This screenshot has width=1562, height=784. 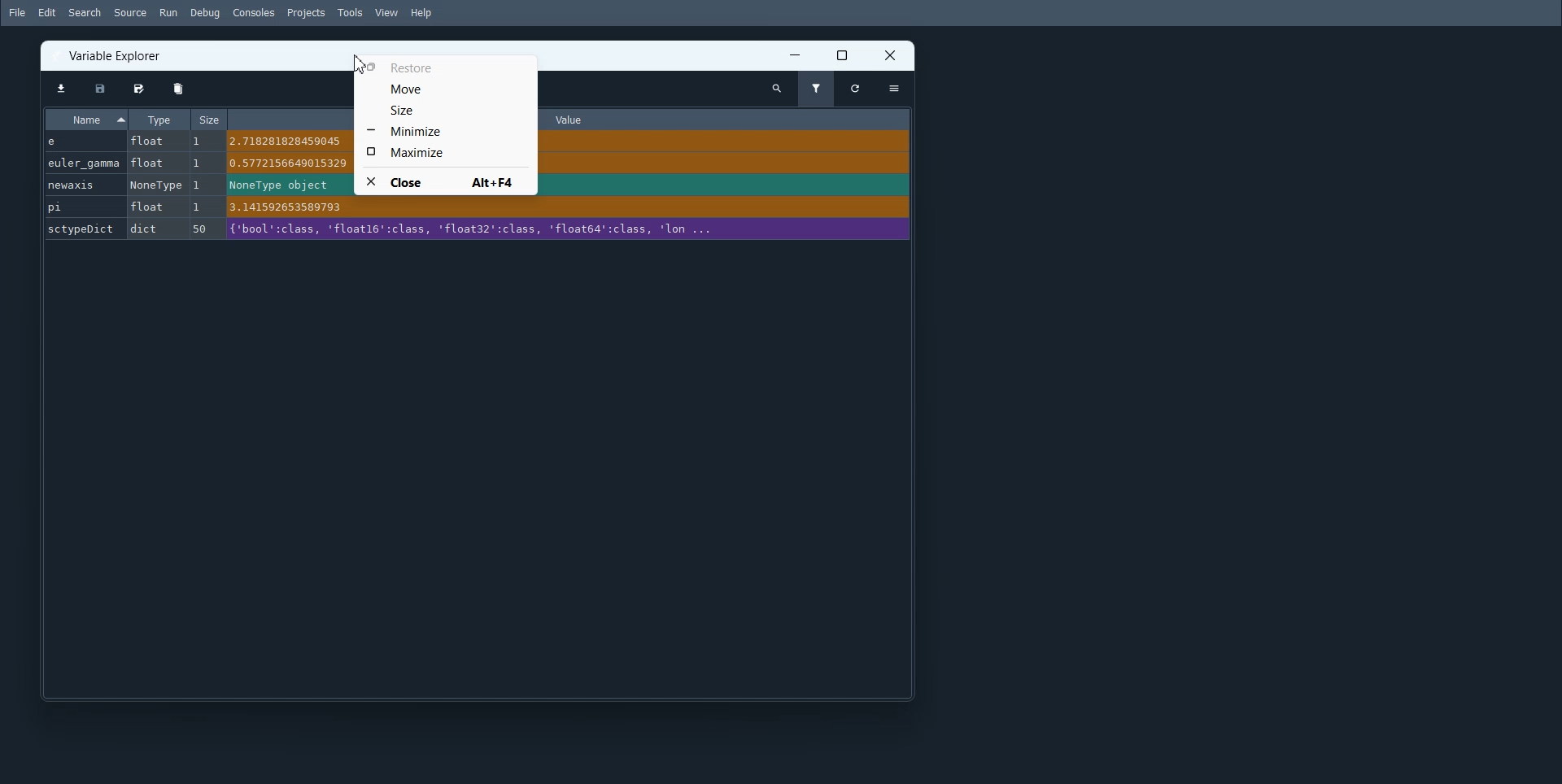 I want to click on Refresh variable, so click(x=856, y=89).